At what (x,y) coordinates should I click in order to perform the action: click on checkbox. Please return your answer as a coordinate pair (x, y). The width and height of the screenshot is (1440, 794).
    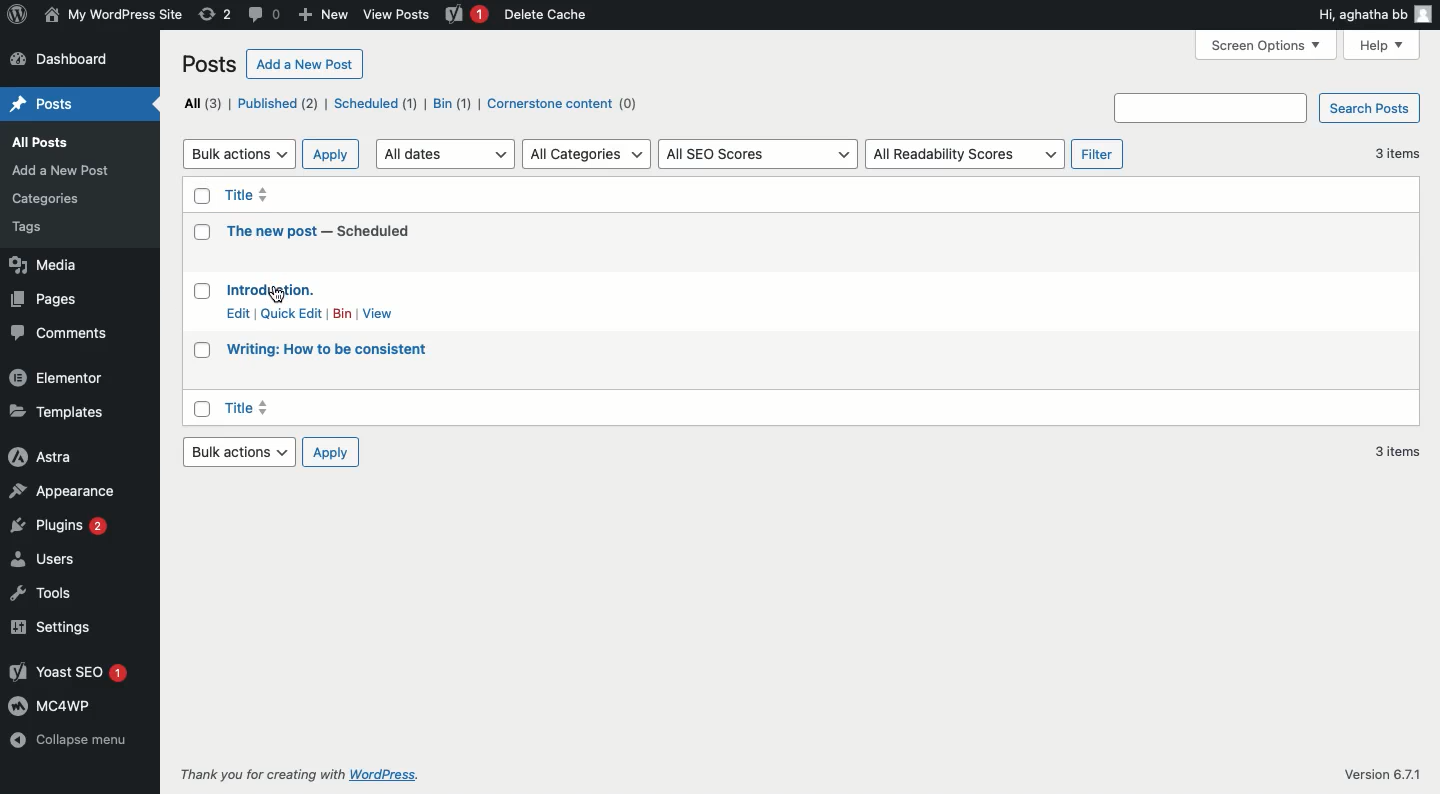
    Looking at the image, I should click on (202, 196).